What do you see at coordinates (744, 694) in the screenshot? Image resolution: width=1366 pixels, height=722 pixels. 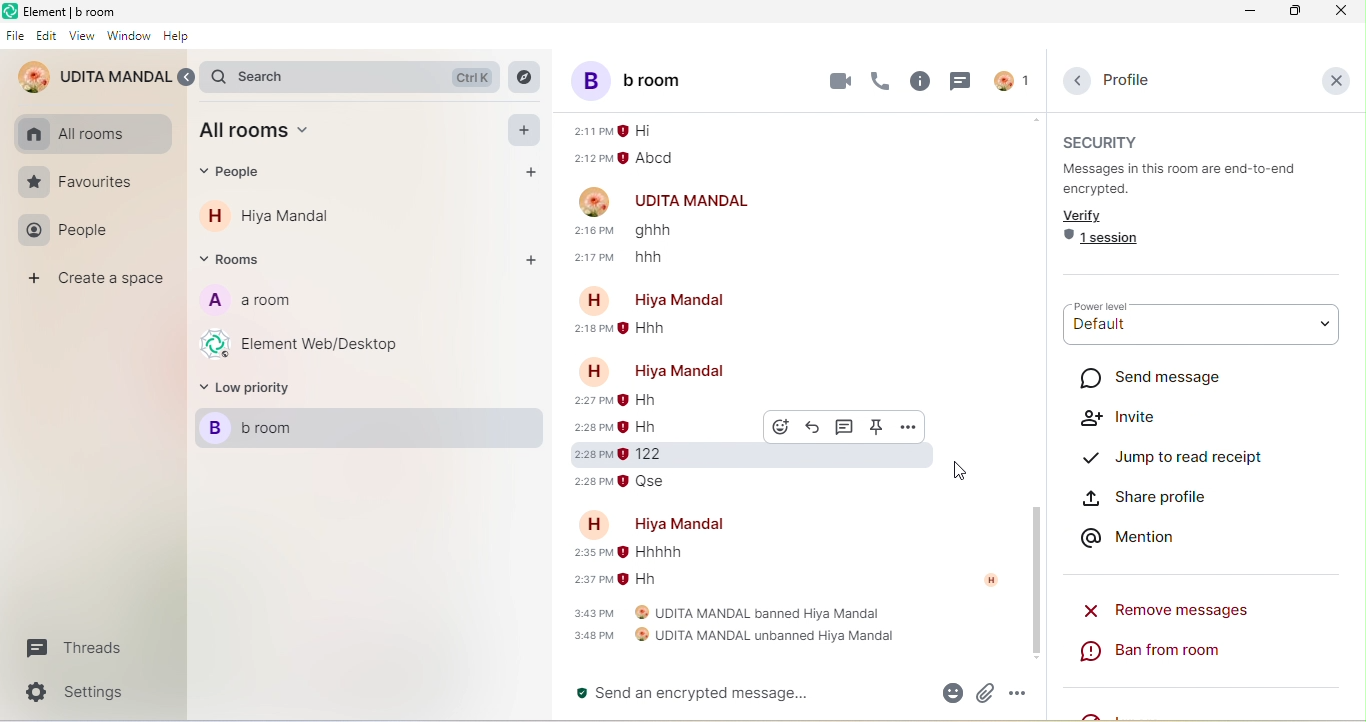 I see `send an encrypted message` at bounding box center [744, 694].